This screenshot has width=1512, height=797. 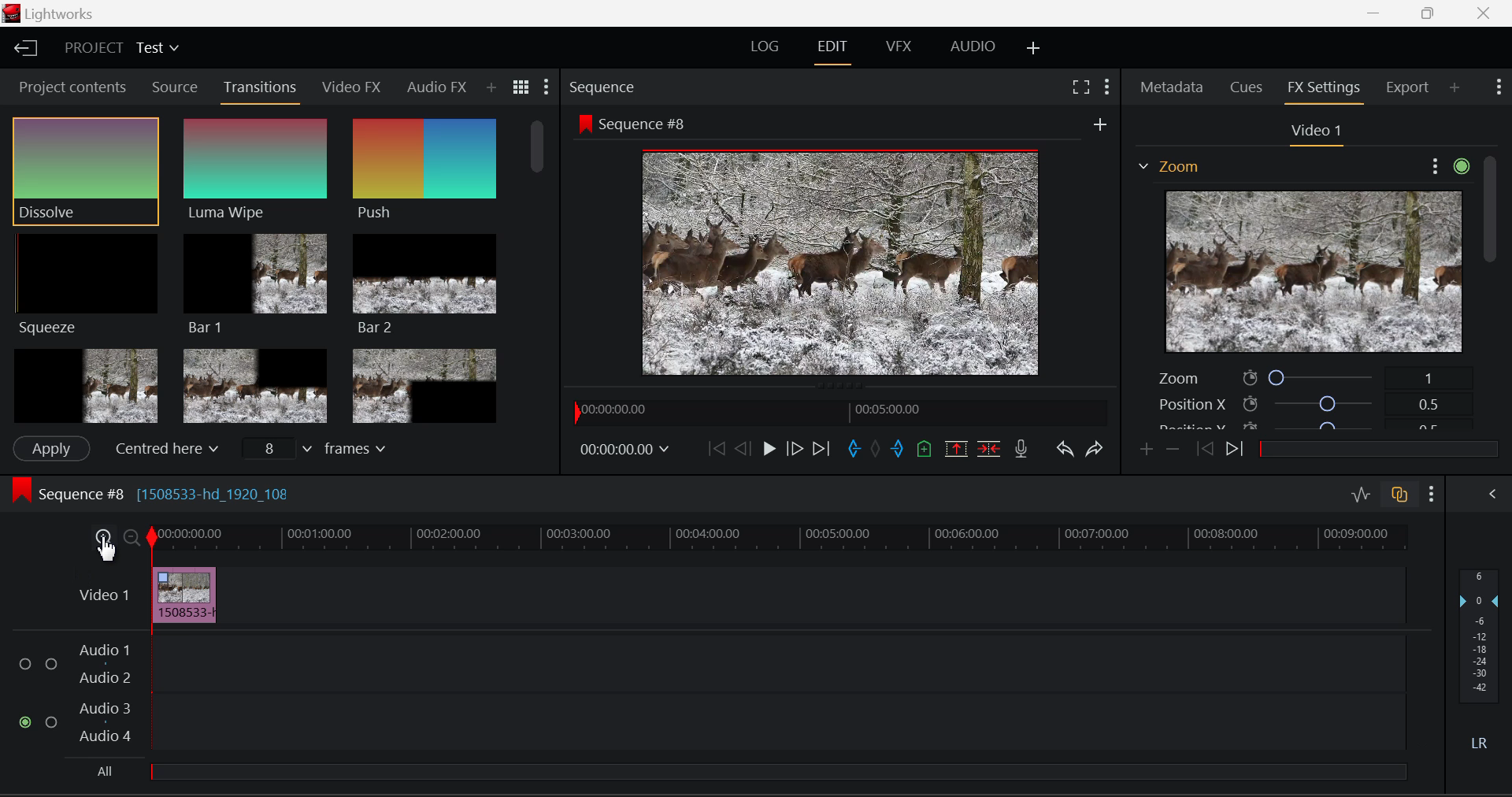 What do you see at coordinates (622, 450) in the screenshot?
I see `Frame Time` at bounding box center [622, 450].